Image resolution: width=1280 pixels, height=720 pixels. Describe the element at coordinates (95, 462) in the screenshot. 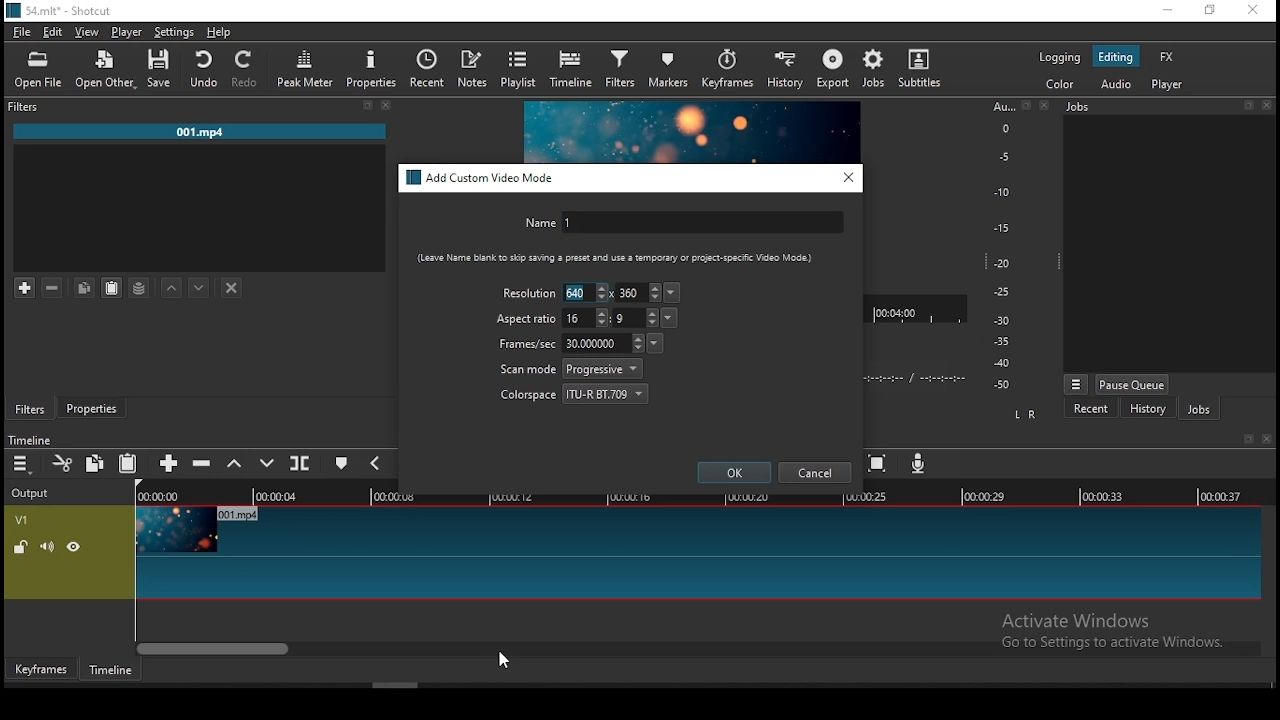

I see `copy` at that location.